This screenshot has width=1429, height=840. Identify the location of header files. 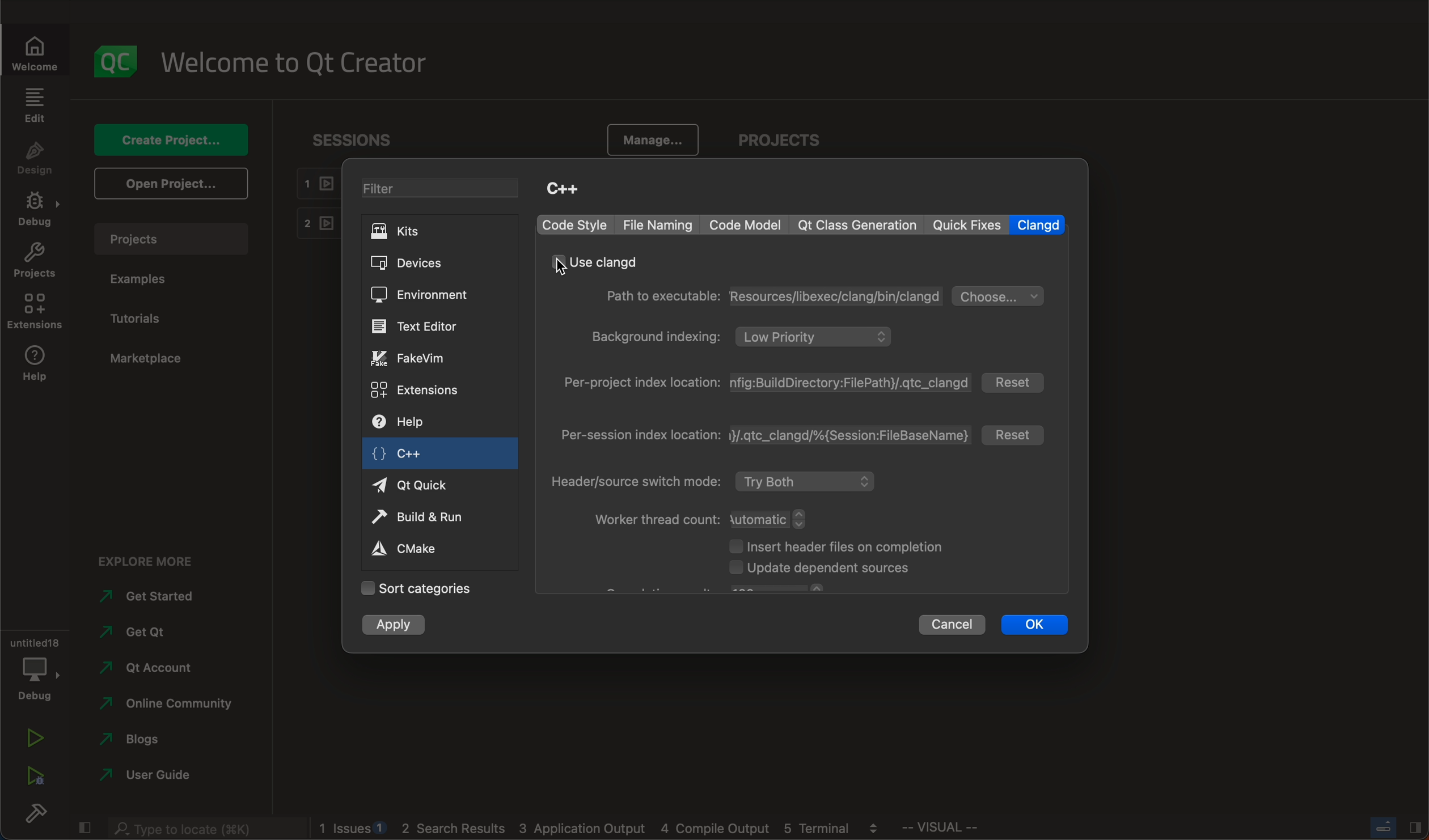
(856, 549).